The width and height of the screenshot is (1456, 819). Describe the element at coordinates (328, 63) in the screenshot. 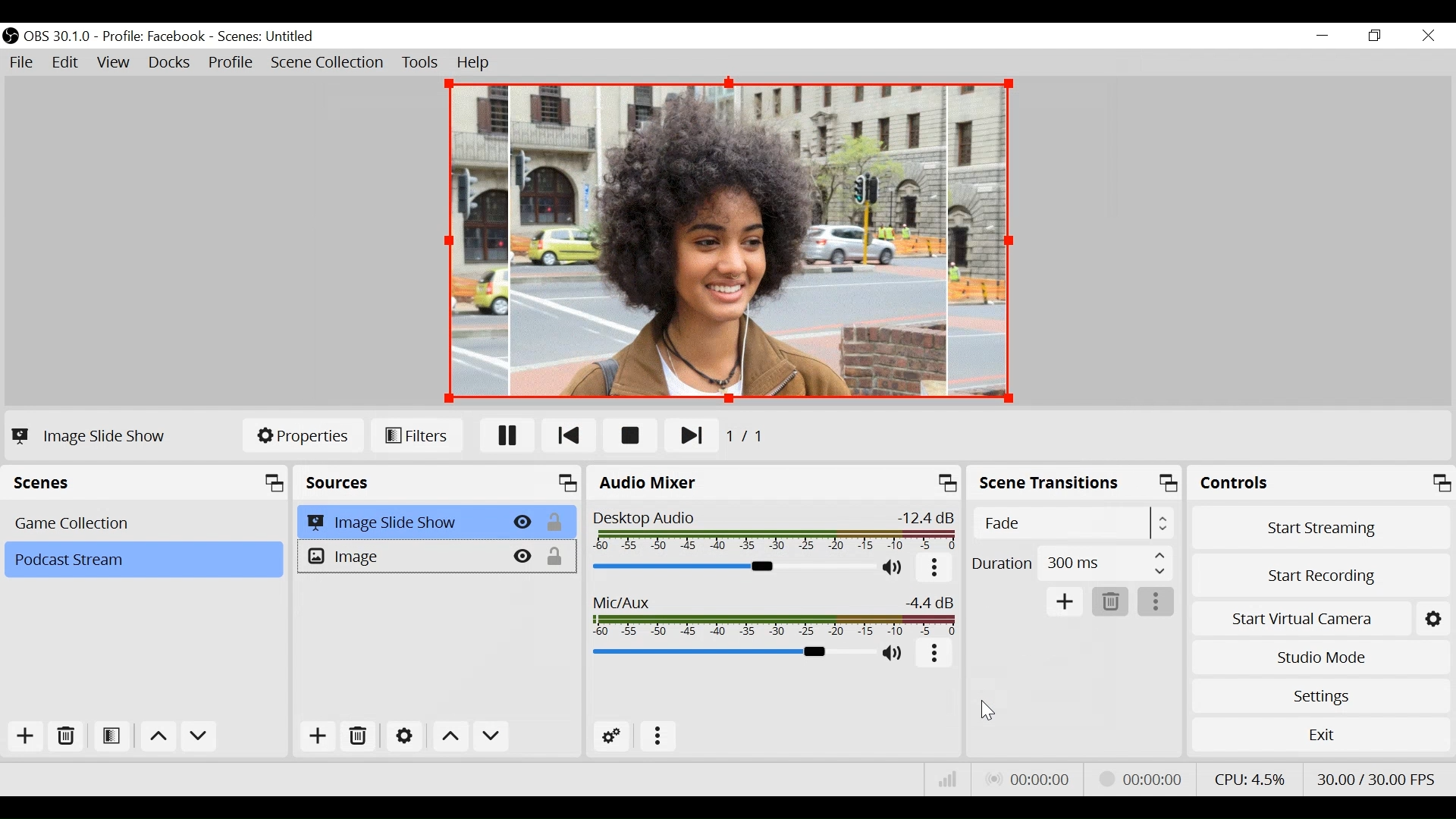

I see `Scene Collection` at that location.